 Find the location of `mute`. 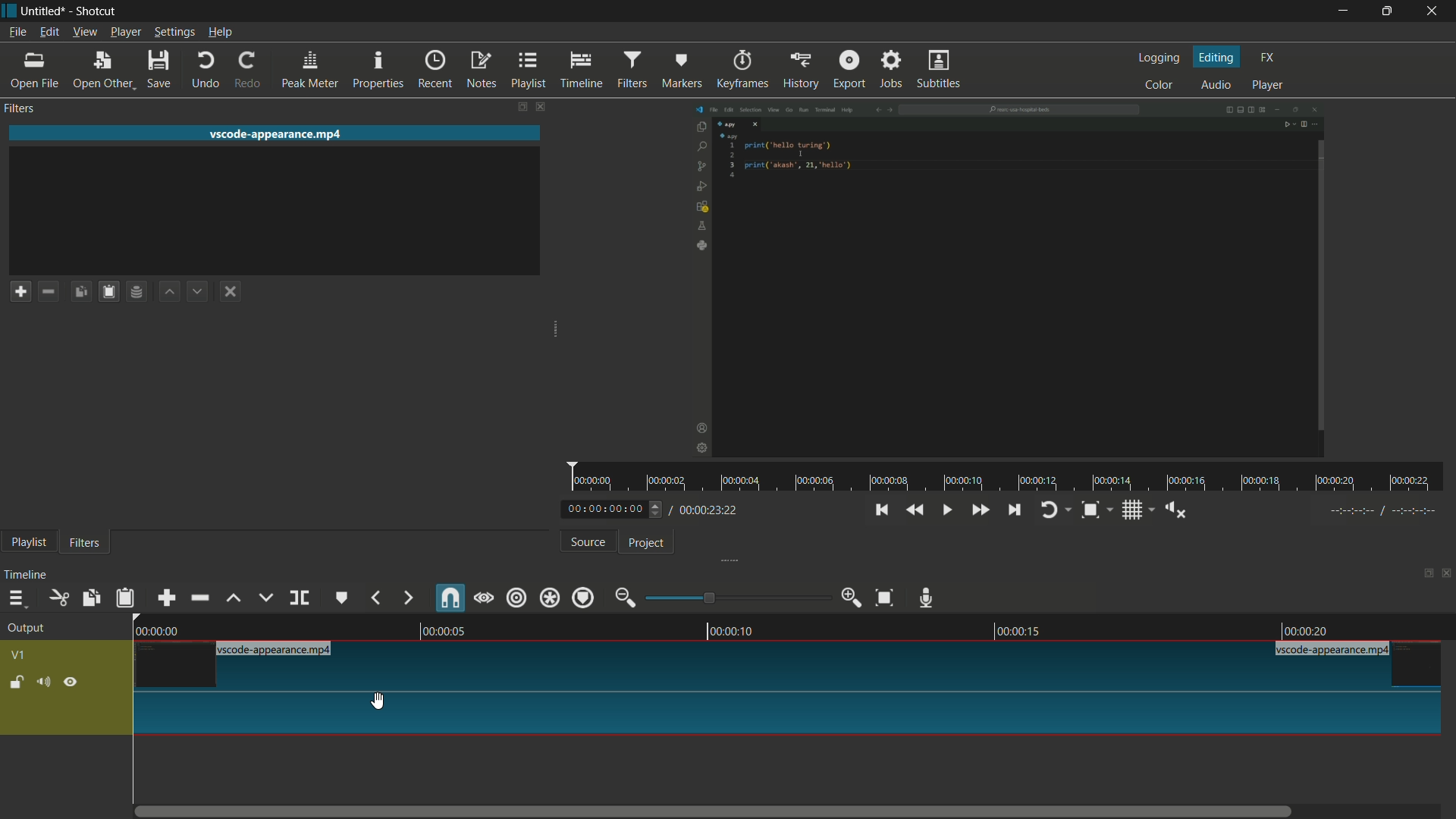

mute is located at coordinates (43, 682).